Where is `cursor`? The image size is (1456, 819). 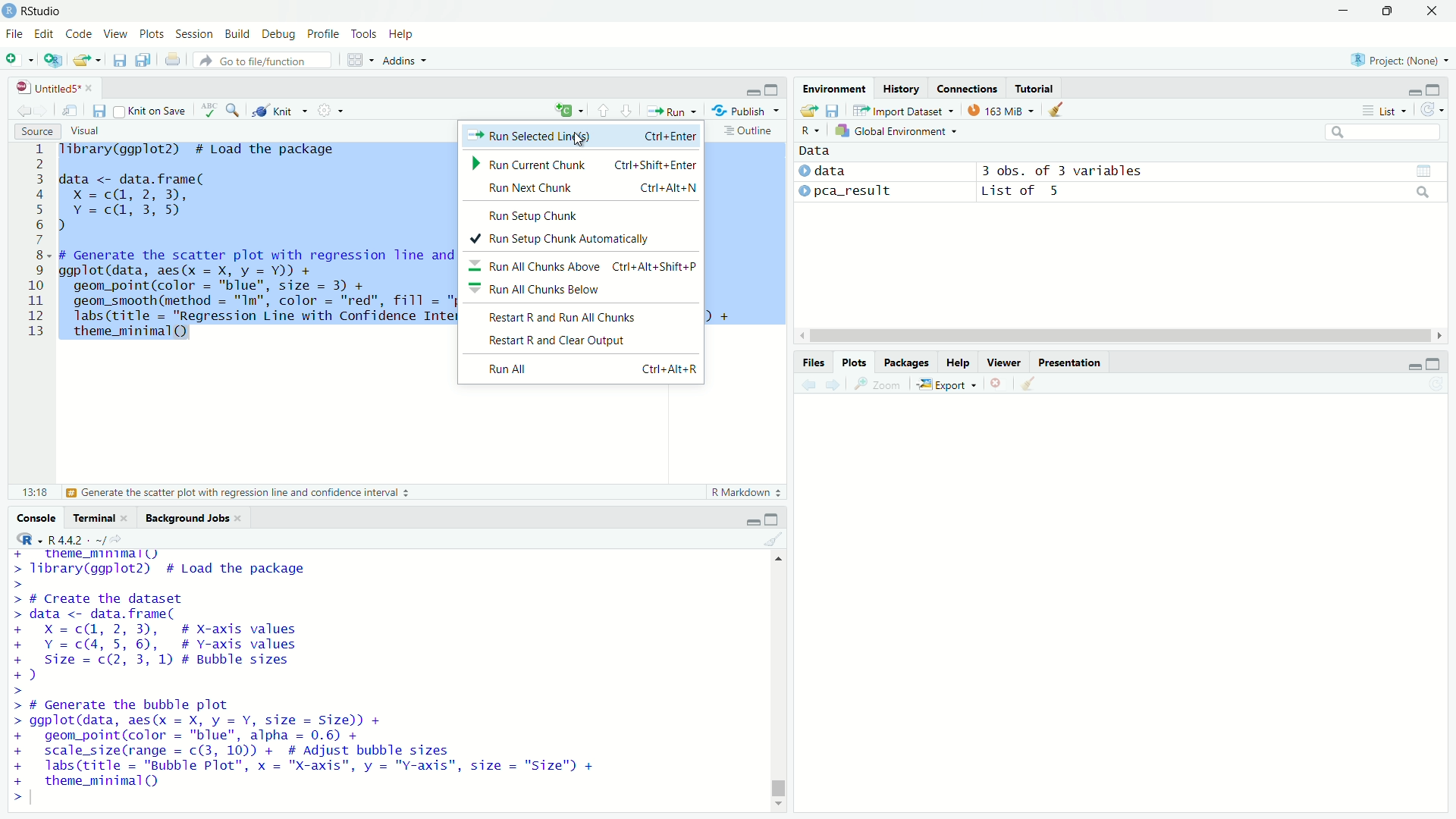 cursor is located at coordinates (579, 140).